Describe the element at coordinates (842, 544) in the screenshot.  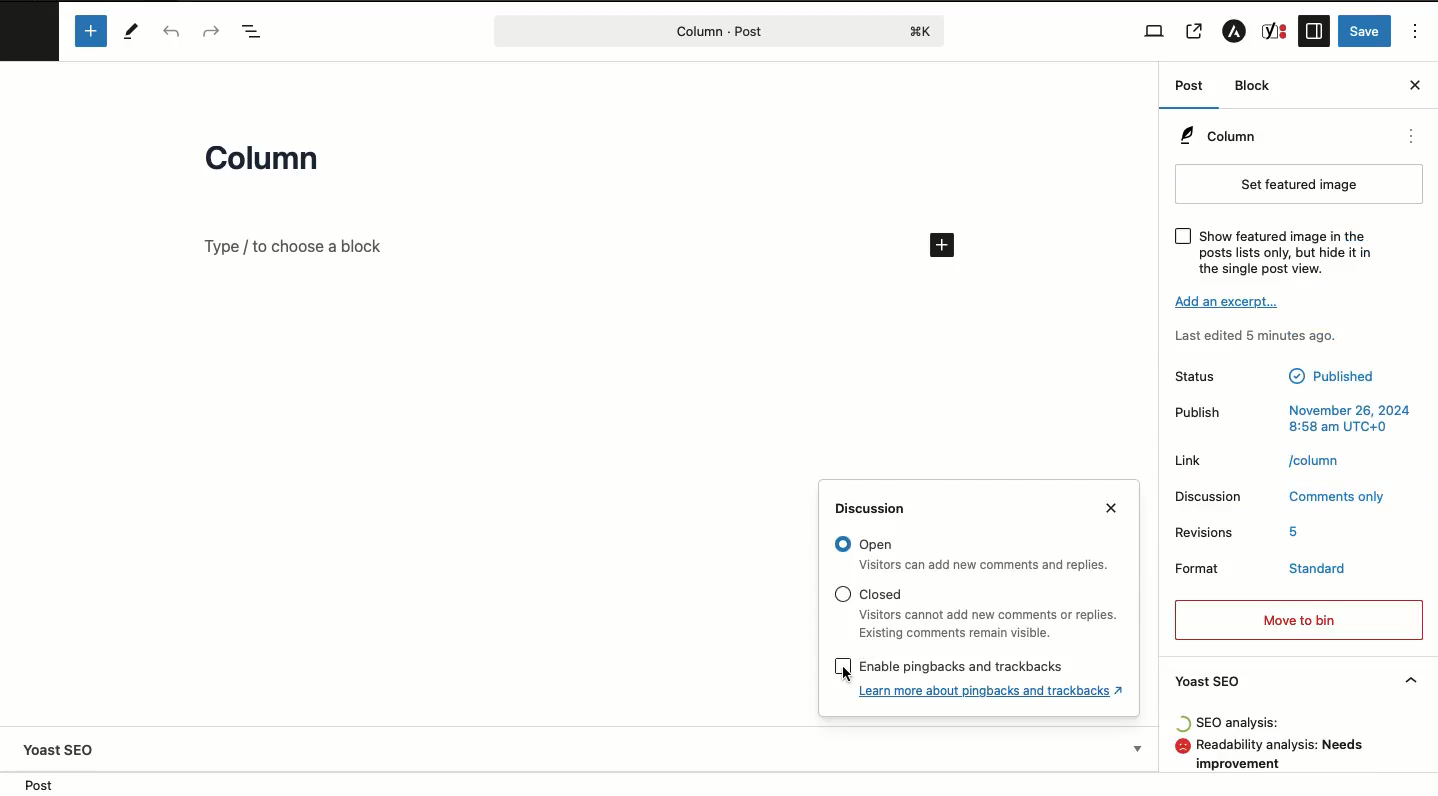
I see `Checkbox ` at that location.